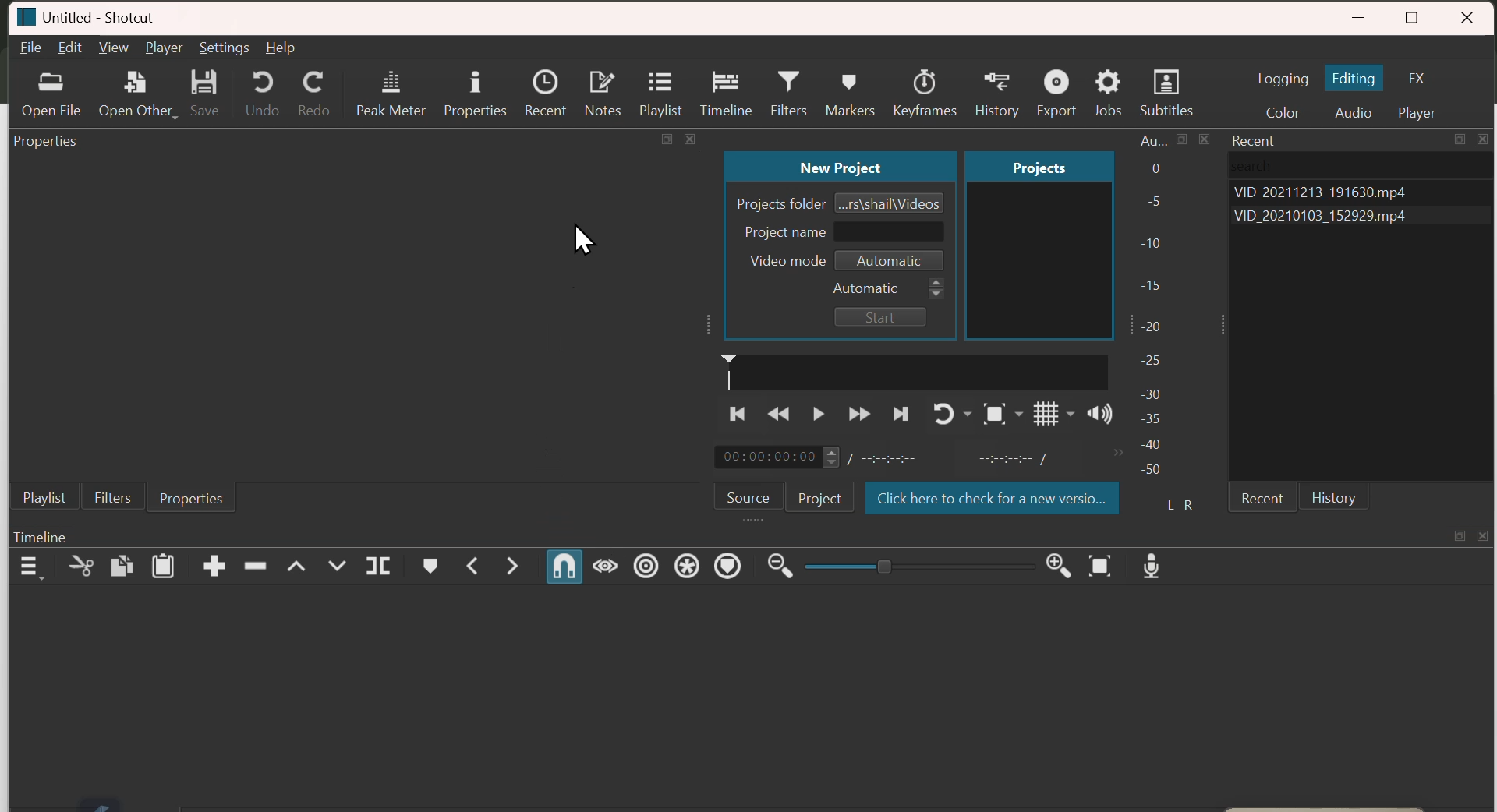 The image size is (1497, 812). What do you see at coordinates (255, 567) in the screenshot?
I see `Ripple` at bounding box center [255, 567].